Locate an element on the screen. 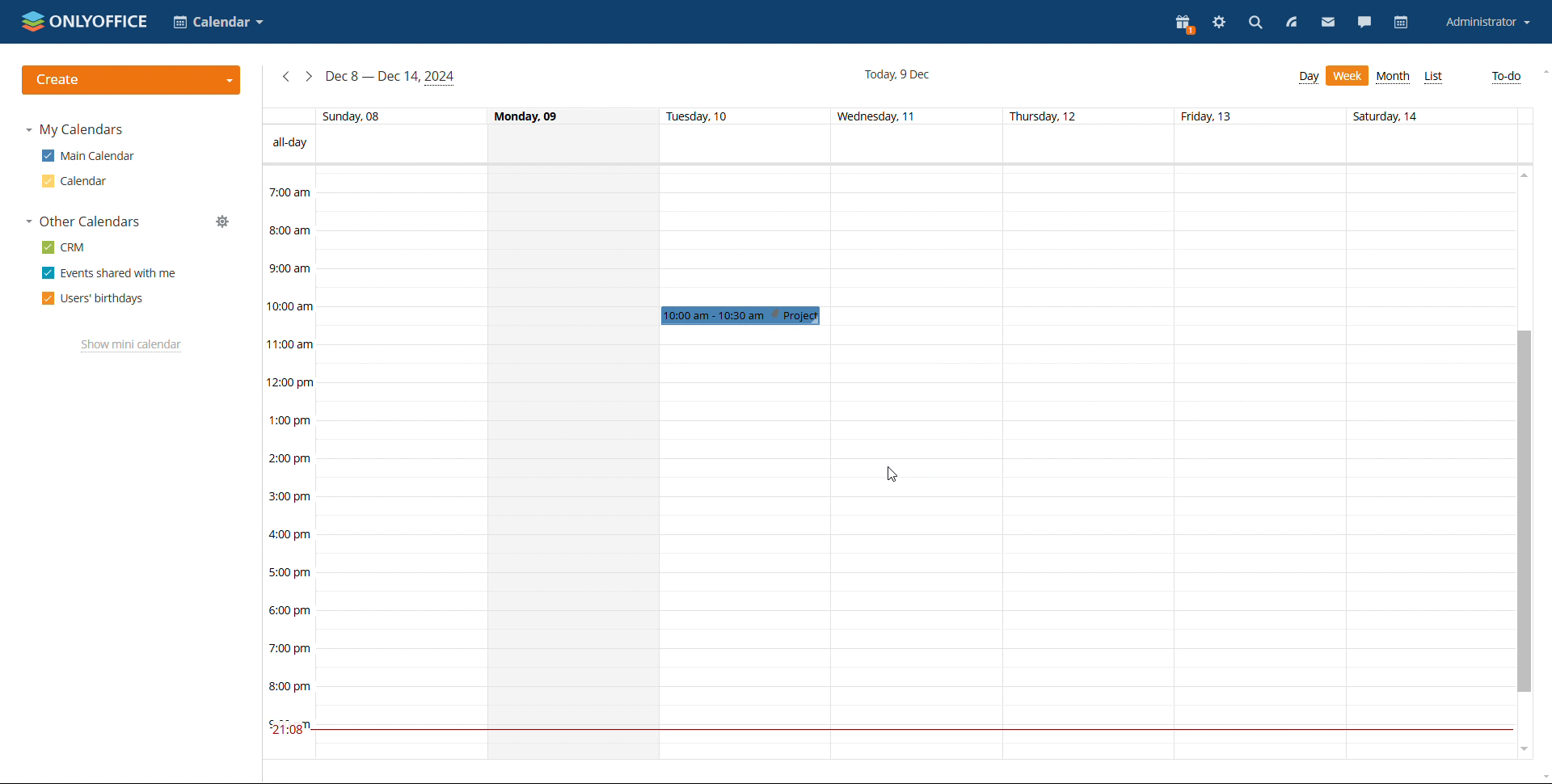  other calendars is located at coordinates (82, 222).